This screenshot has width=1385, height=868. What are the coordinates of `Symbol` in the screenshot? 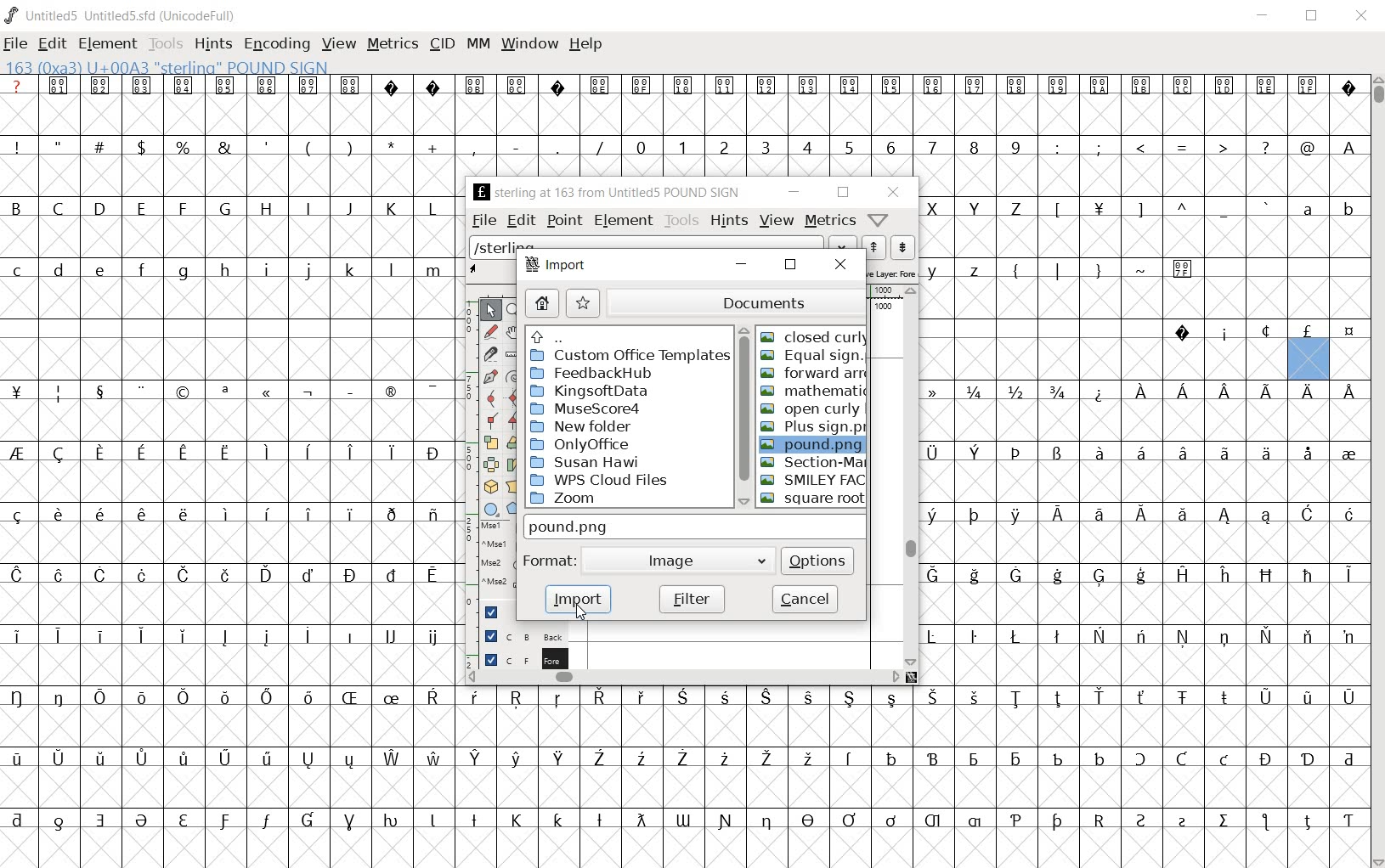 It's located at (224, 573).